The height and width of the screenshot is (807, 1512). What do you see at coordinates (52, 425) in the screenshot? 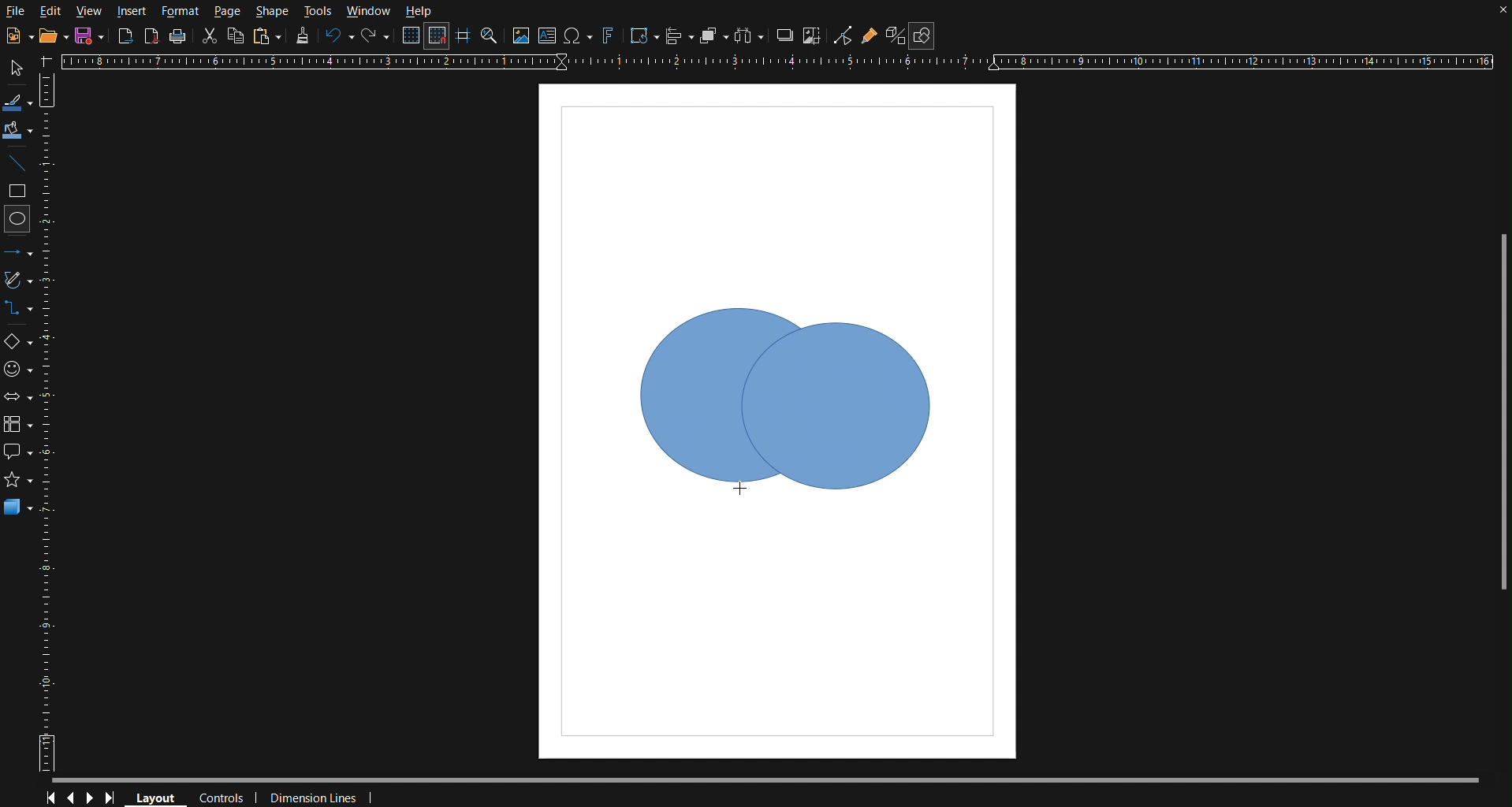
I see `Vertical Ruler` at bounding box center [52, 425].